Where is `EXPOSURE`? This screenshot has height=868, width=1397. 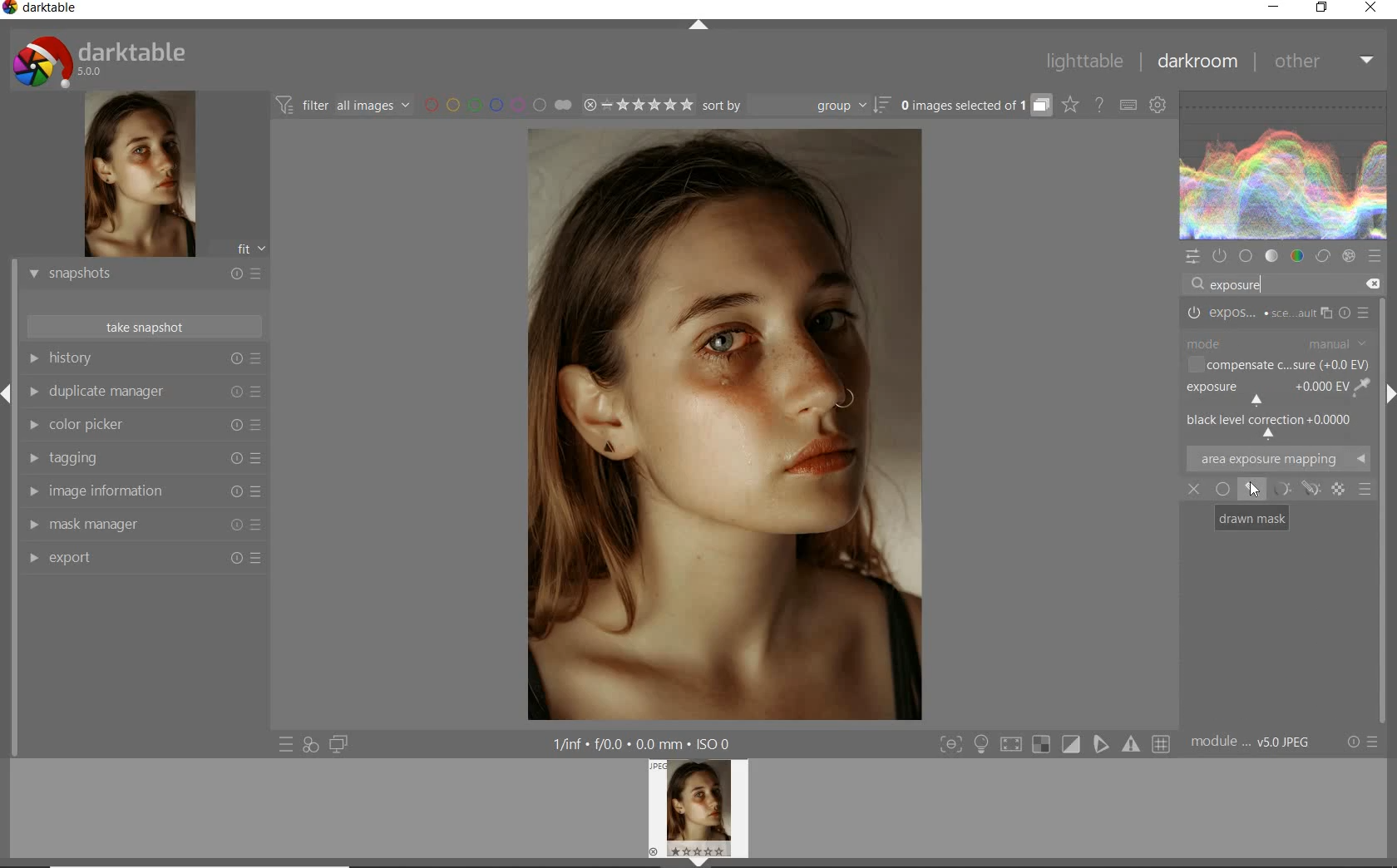 EXPOSURE is located at coordinates (1261, 393).